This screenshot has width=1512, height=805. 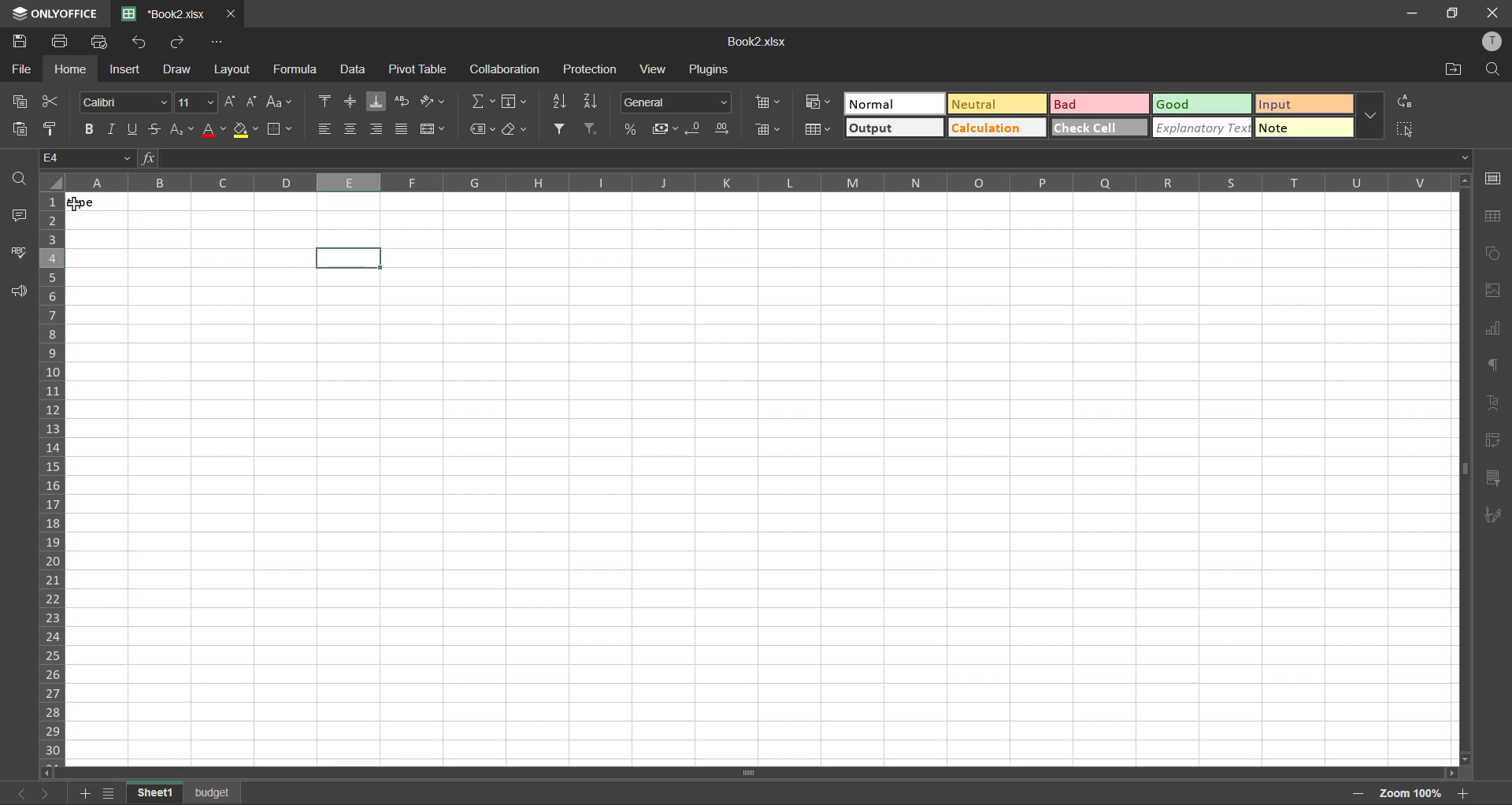 I want to click on row numbers, so click(x=52, y=478).